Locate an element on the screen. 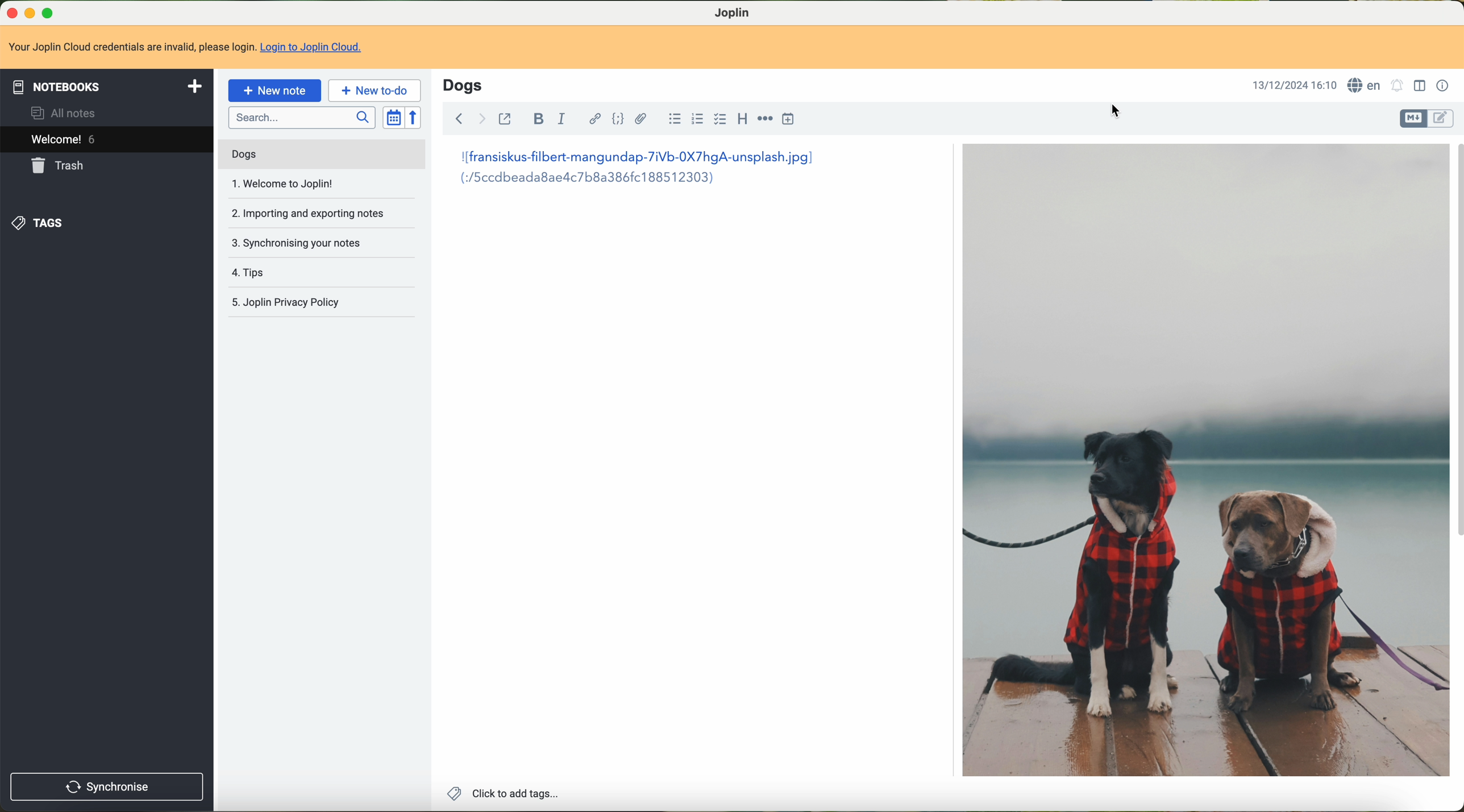 This screenshot has height=812, width=1464. synchronise your notes is located at coordinates (297, 240).